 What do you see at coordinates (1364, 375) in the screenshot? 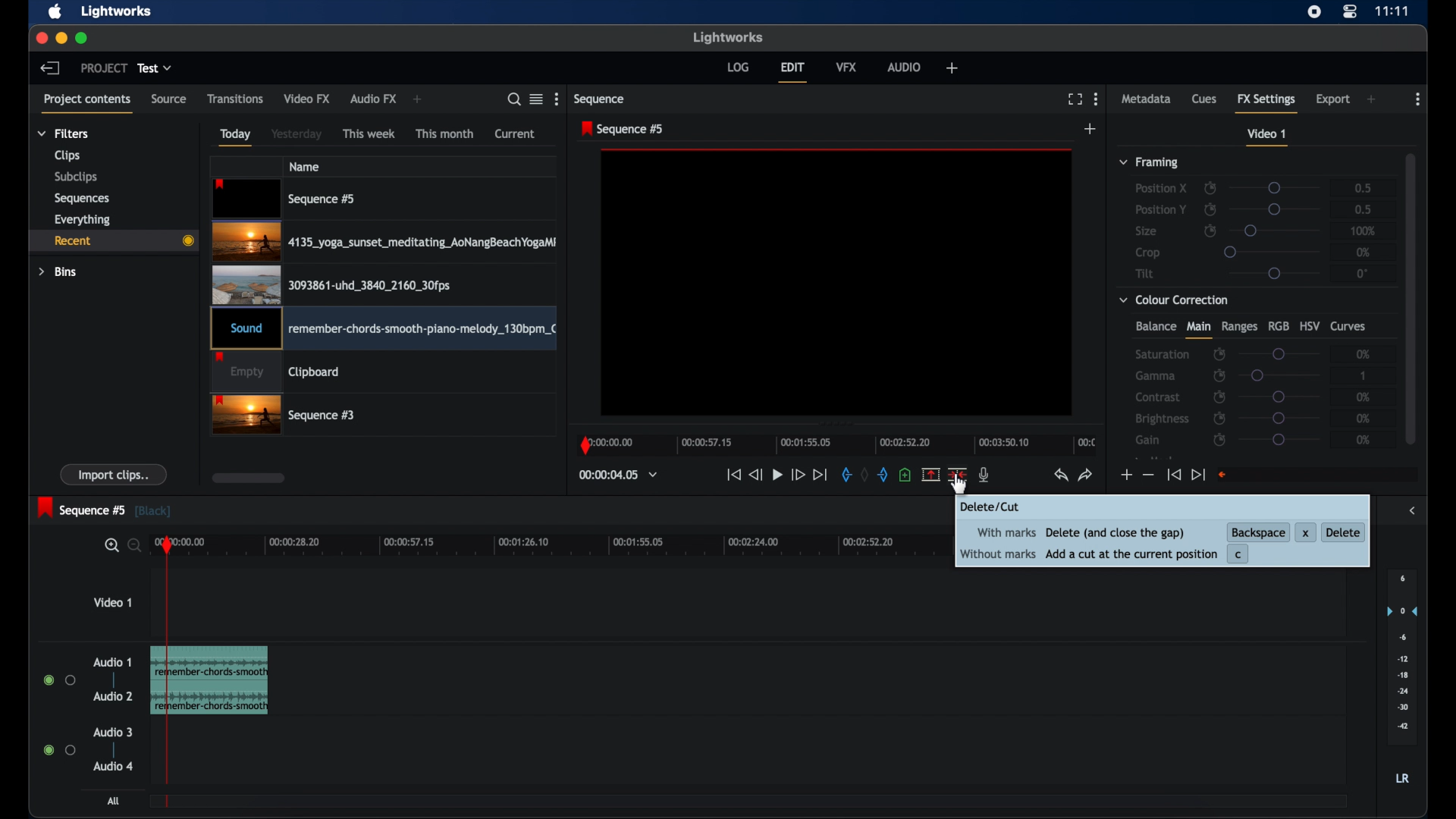
I see `1` at bounding box center [1364, 375].